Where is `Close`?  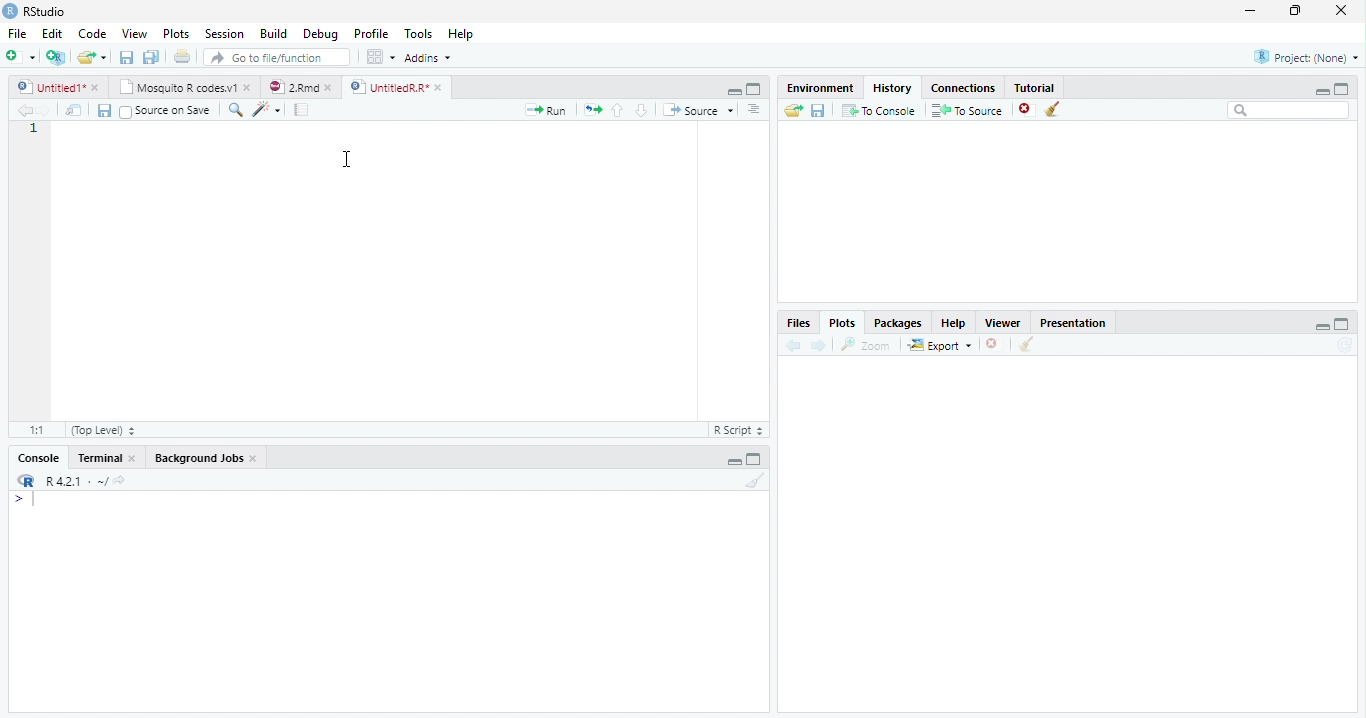
Close is located at coordinates (1343, 11).